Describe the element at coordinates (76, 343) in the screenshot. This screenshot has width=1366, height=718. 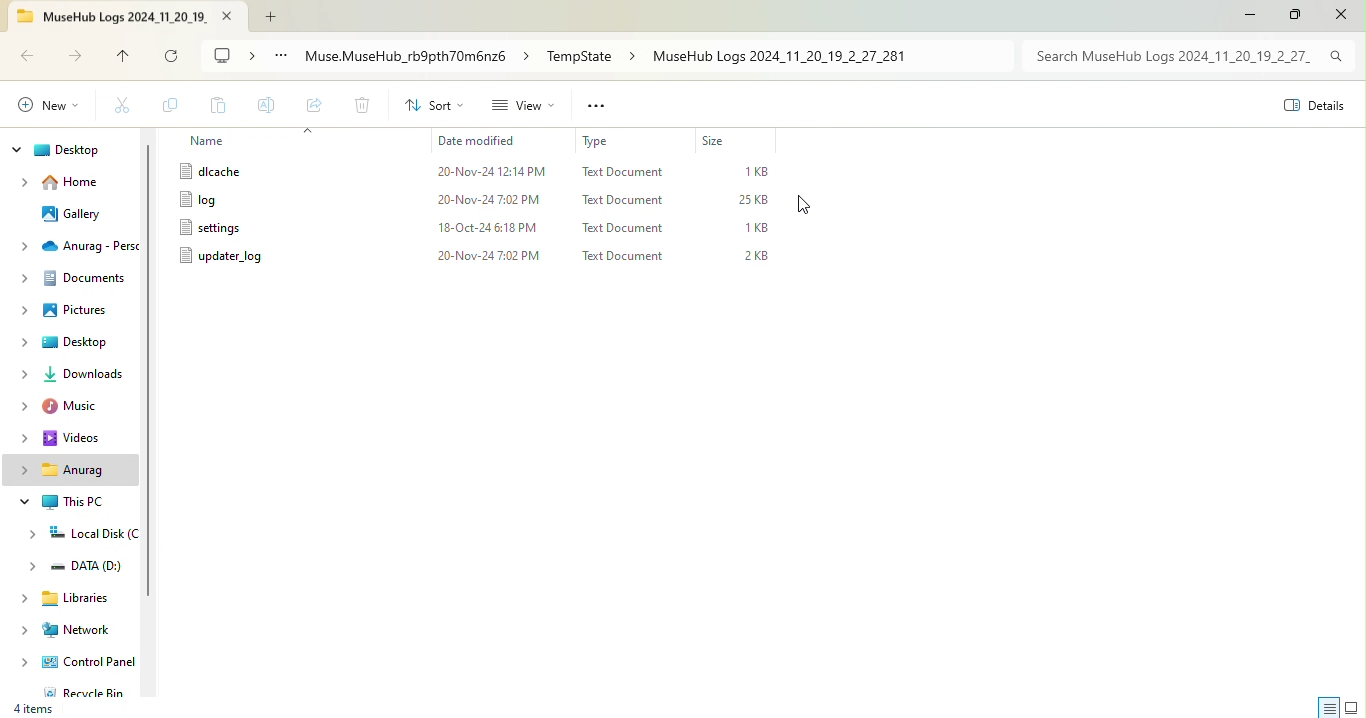
I see `Desktop` at that location.